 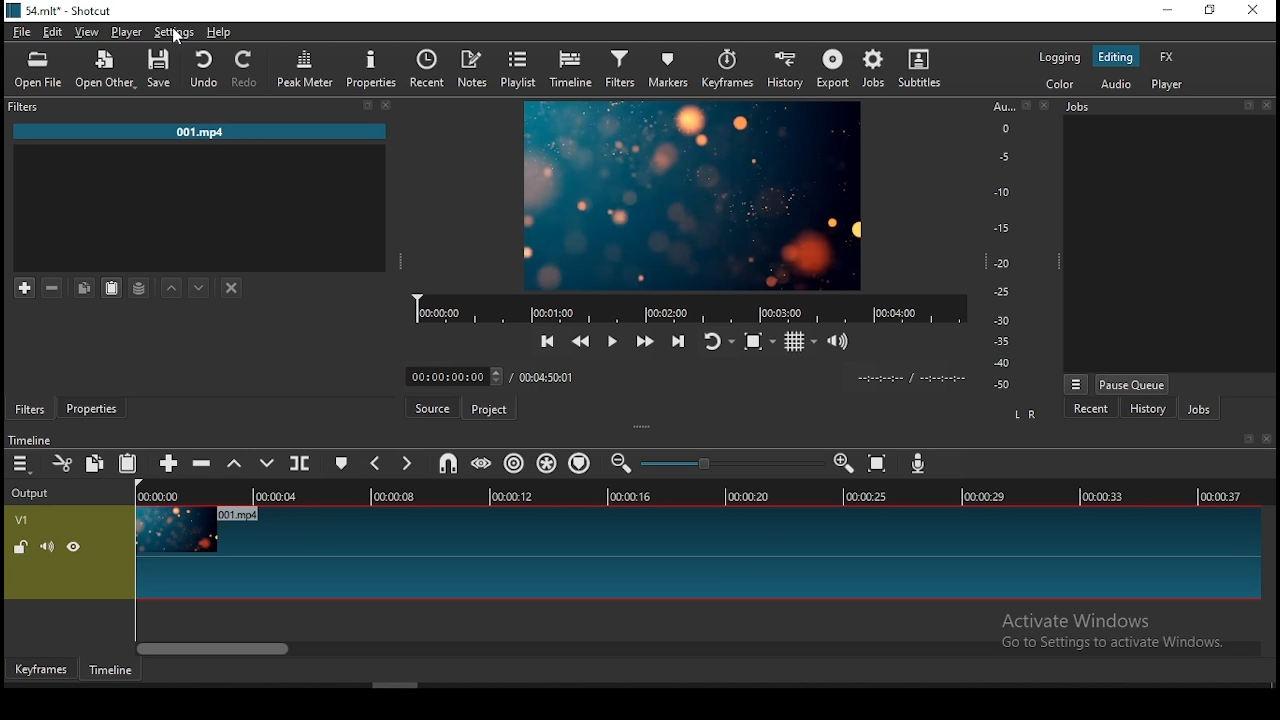 I want to click on play/pause, so click(x=612, y=342).